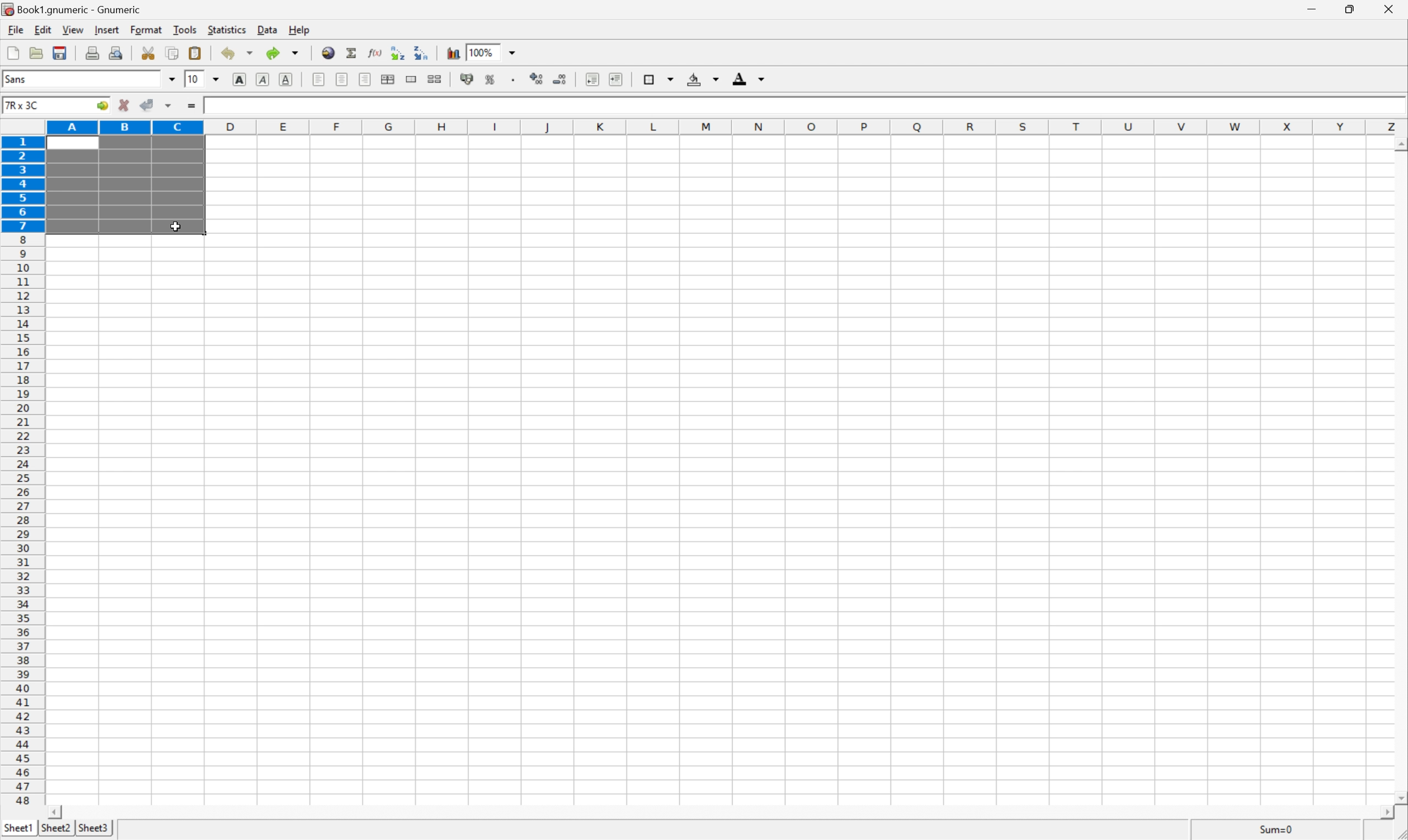 The width and height of the screenshot is (1408, 840). What do you see at coordinates (592, 79) in the screenshot?
I see `decrease indent` at bounding box center [592, 79].